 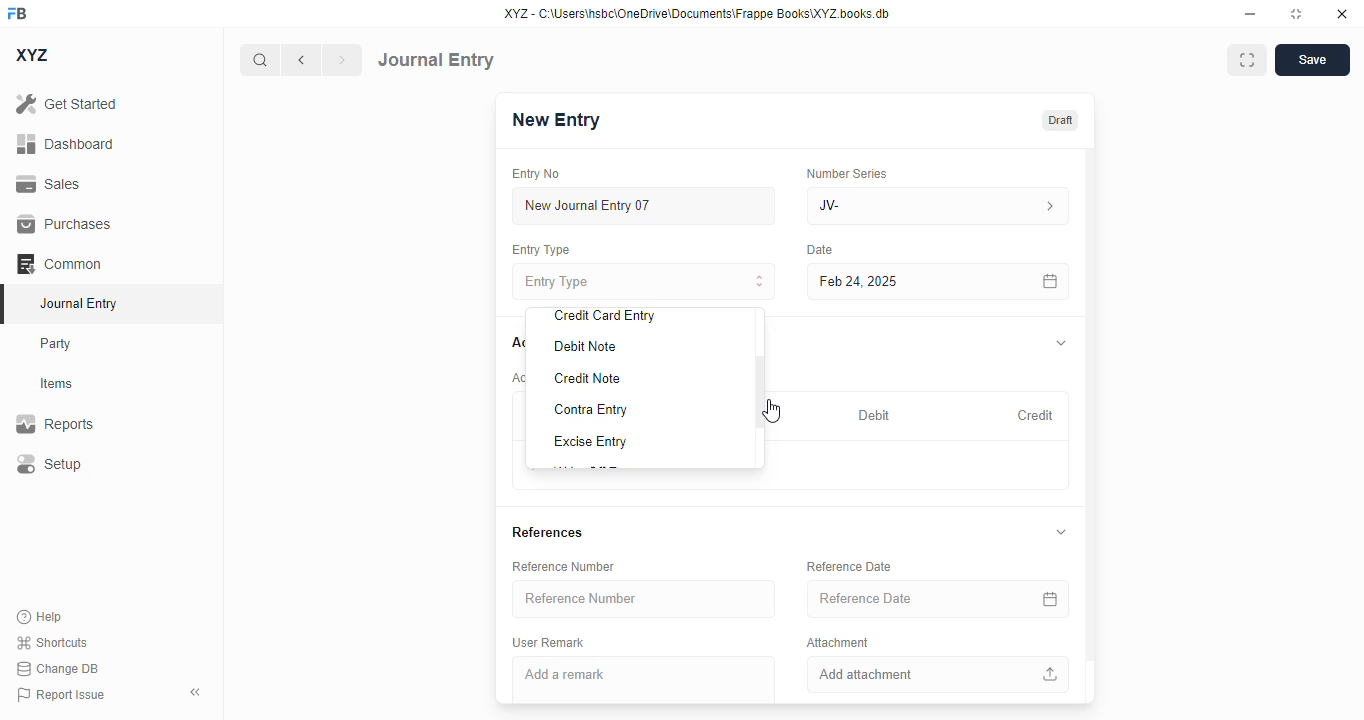 What do you see at coordinates (1296, 14) in the screenshot?
I see `toggle maximize` at bounding box center [1296, 14].